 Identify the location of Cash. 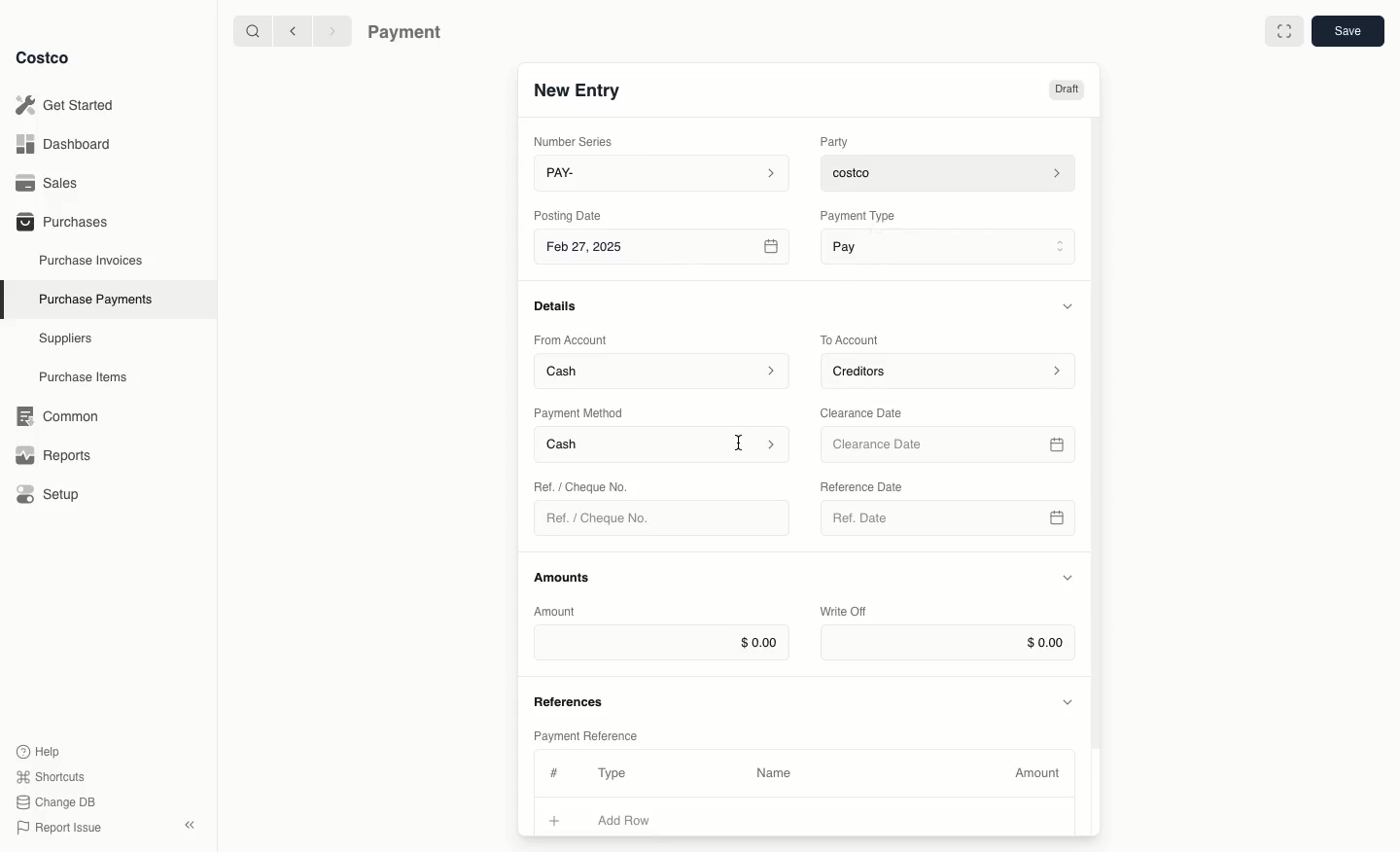
(663, 445).